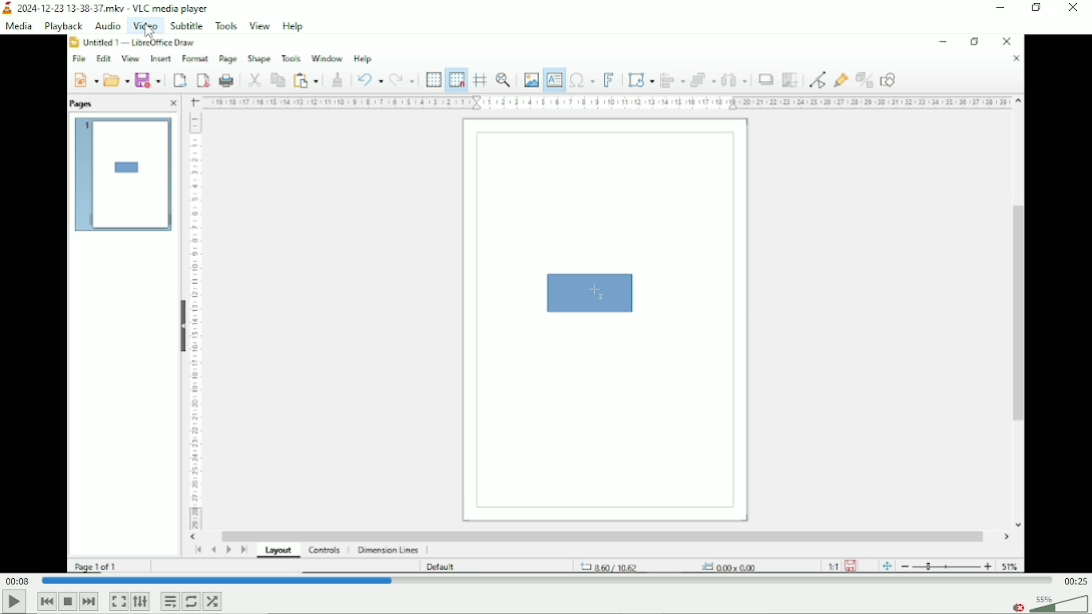 This screenshot has width=1092, height=614. Describe the element at coordinates (62, 26) in the screenshot. I see `Playback` at that location.